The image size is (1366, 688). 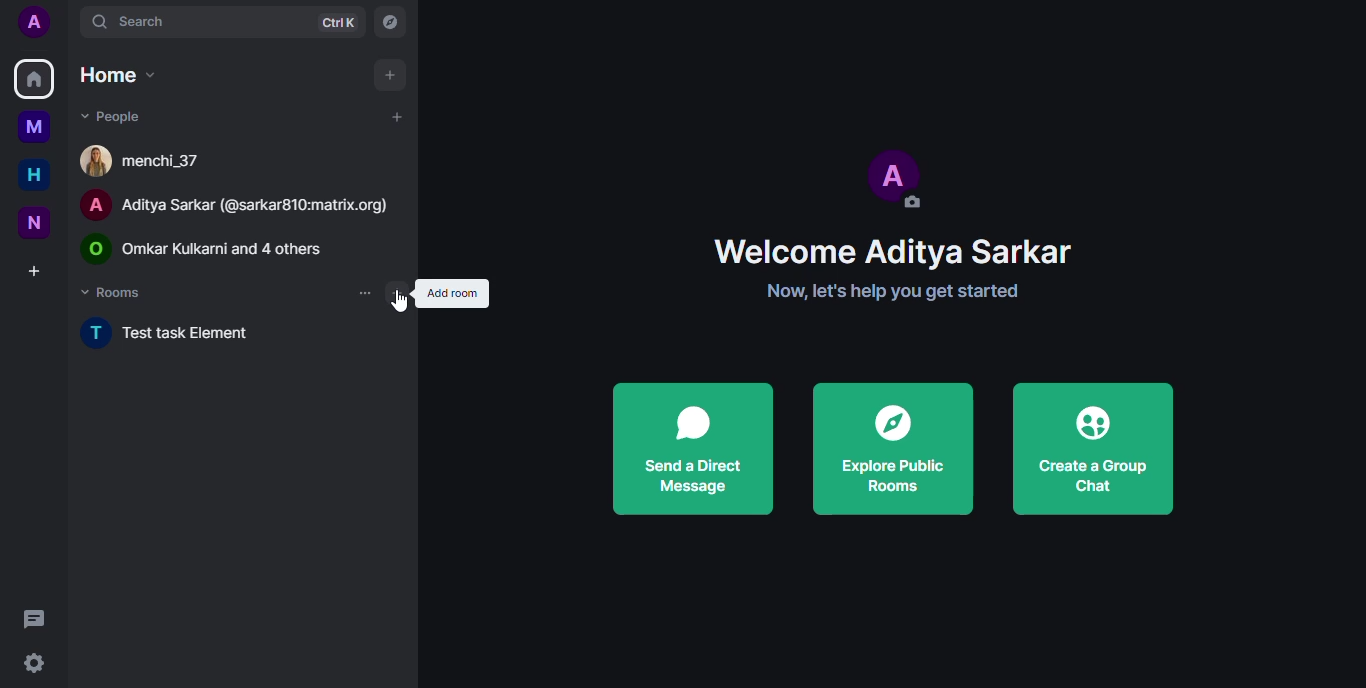 I want to click on create a space, so click(x=34, y=270).